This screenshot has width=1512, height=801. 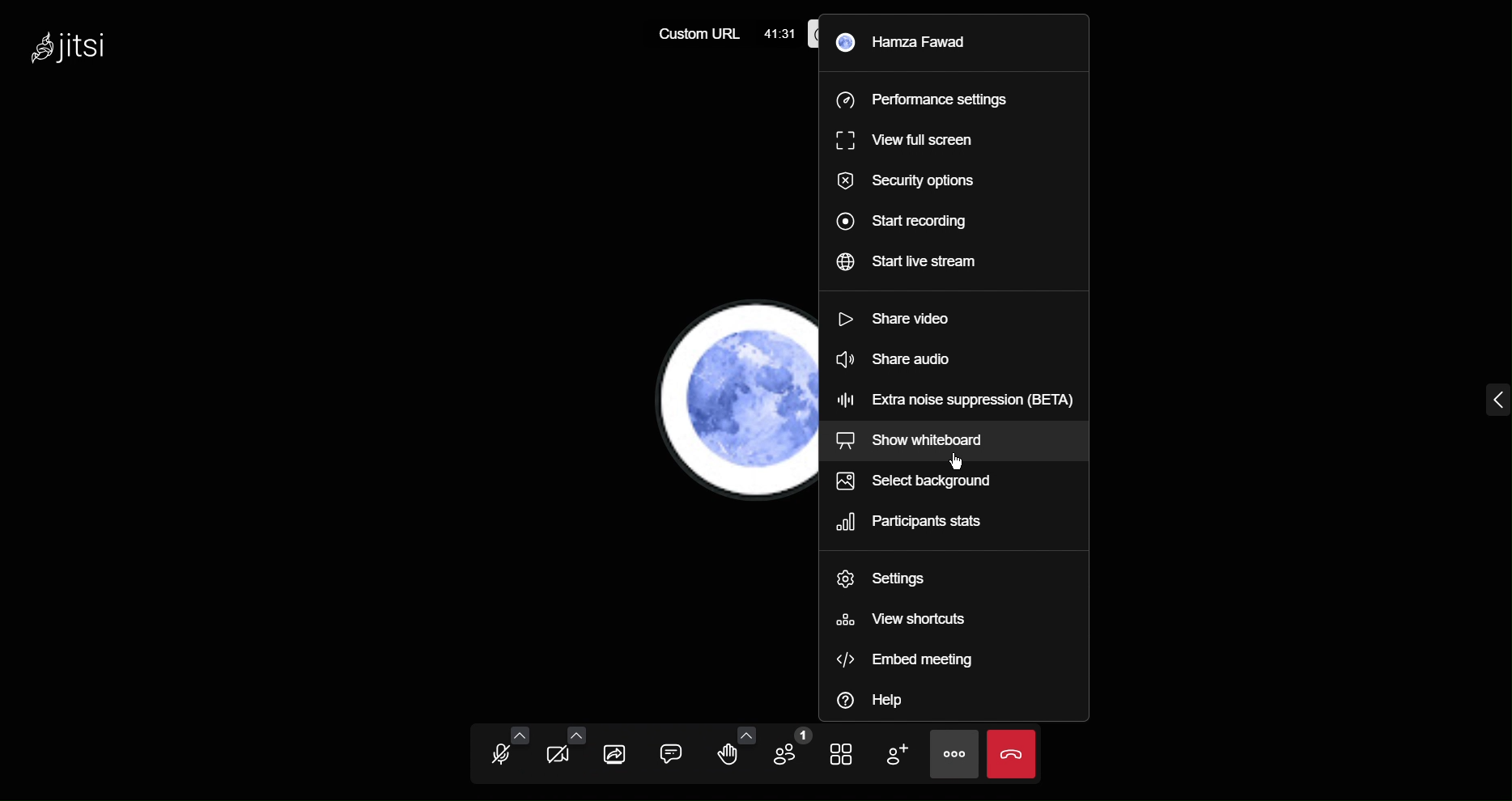 I want to click on View shortcuts, so click(x=900, y=621).